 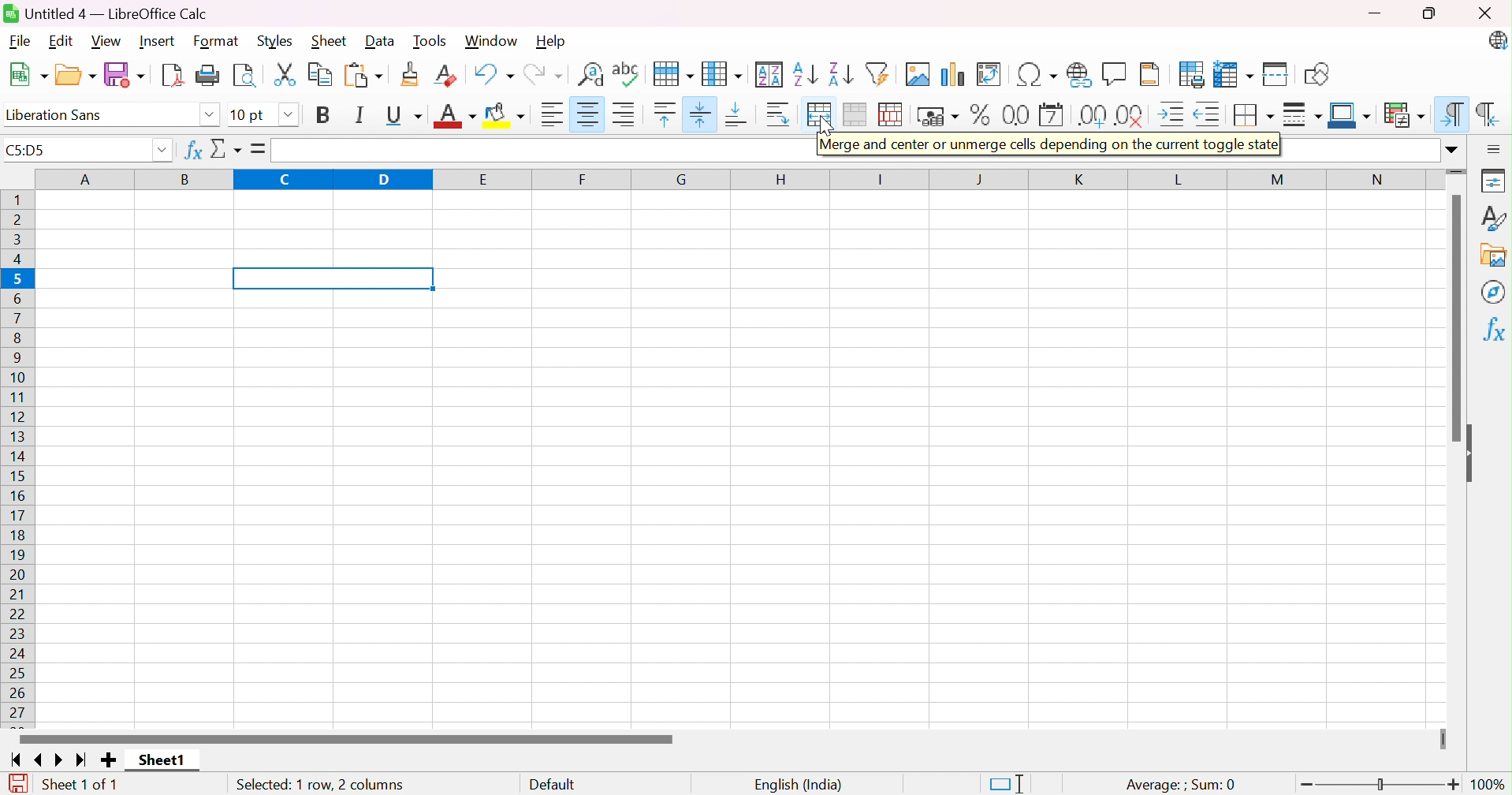 What do you see at coordinates (365, 74) in the screenshot?
I see `Paste` at bounding box center [365, 74].